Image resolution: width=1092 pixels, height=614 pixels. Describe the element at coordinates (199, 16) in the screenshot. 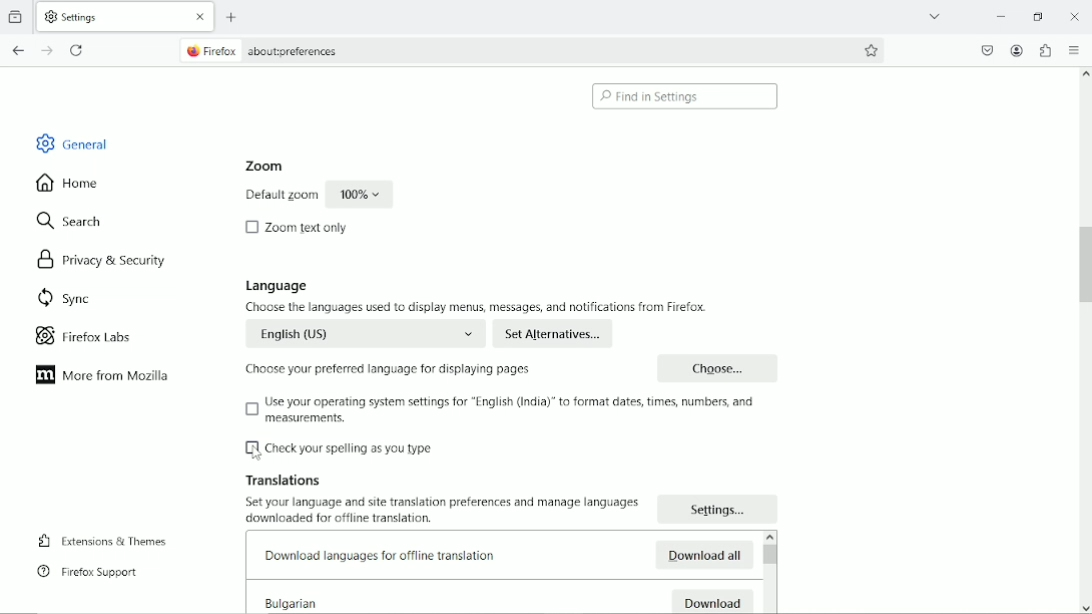

I see `close` at that location.